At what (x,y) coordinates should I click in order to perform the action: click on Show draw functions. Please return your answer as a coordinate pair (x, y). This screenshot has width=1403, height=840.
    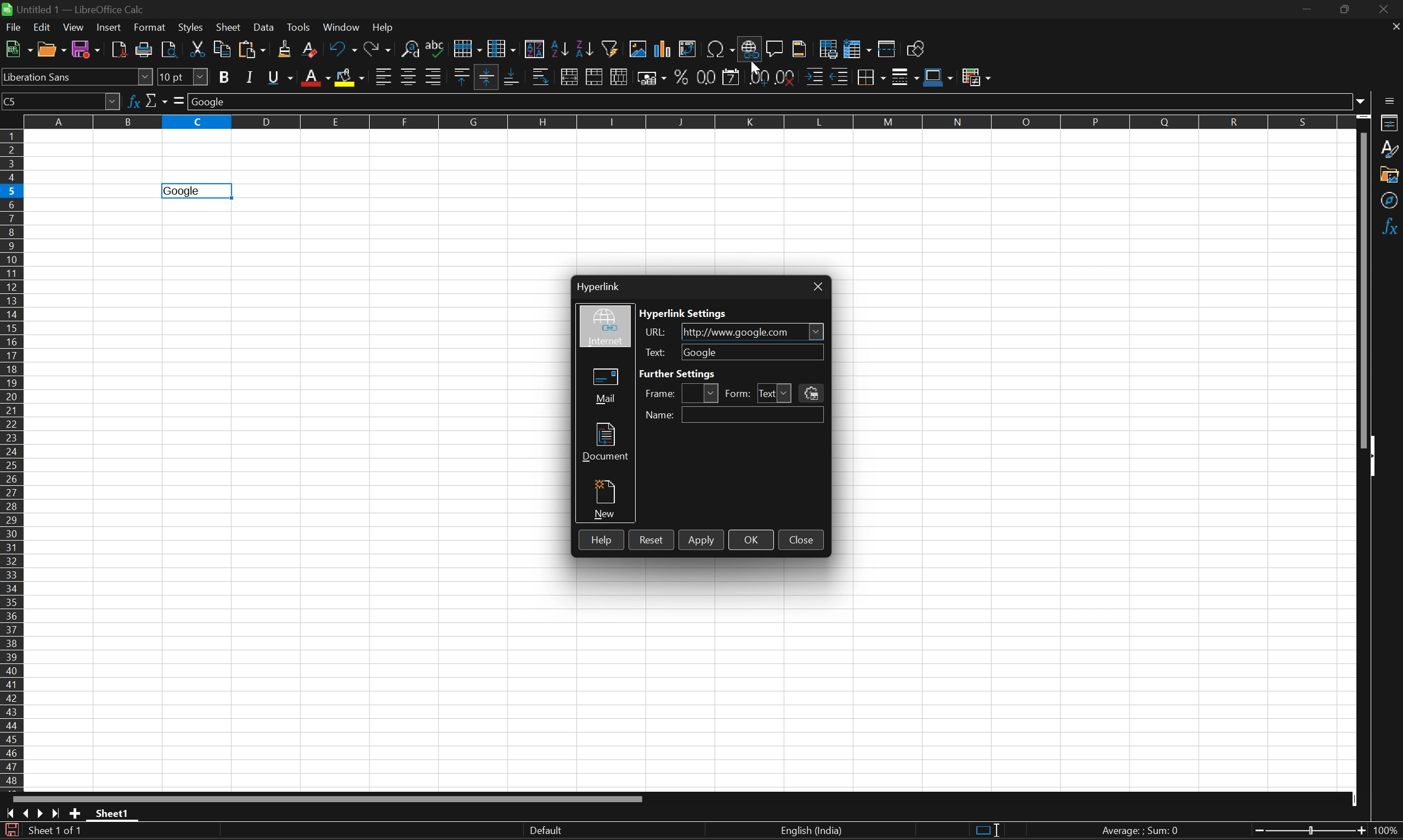
    Looking at the image, I should click on (917, 48).